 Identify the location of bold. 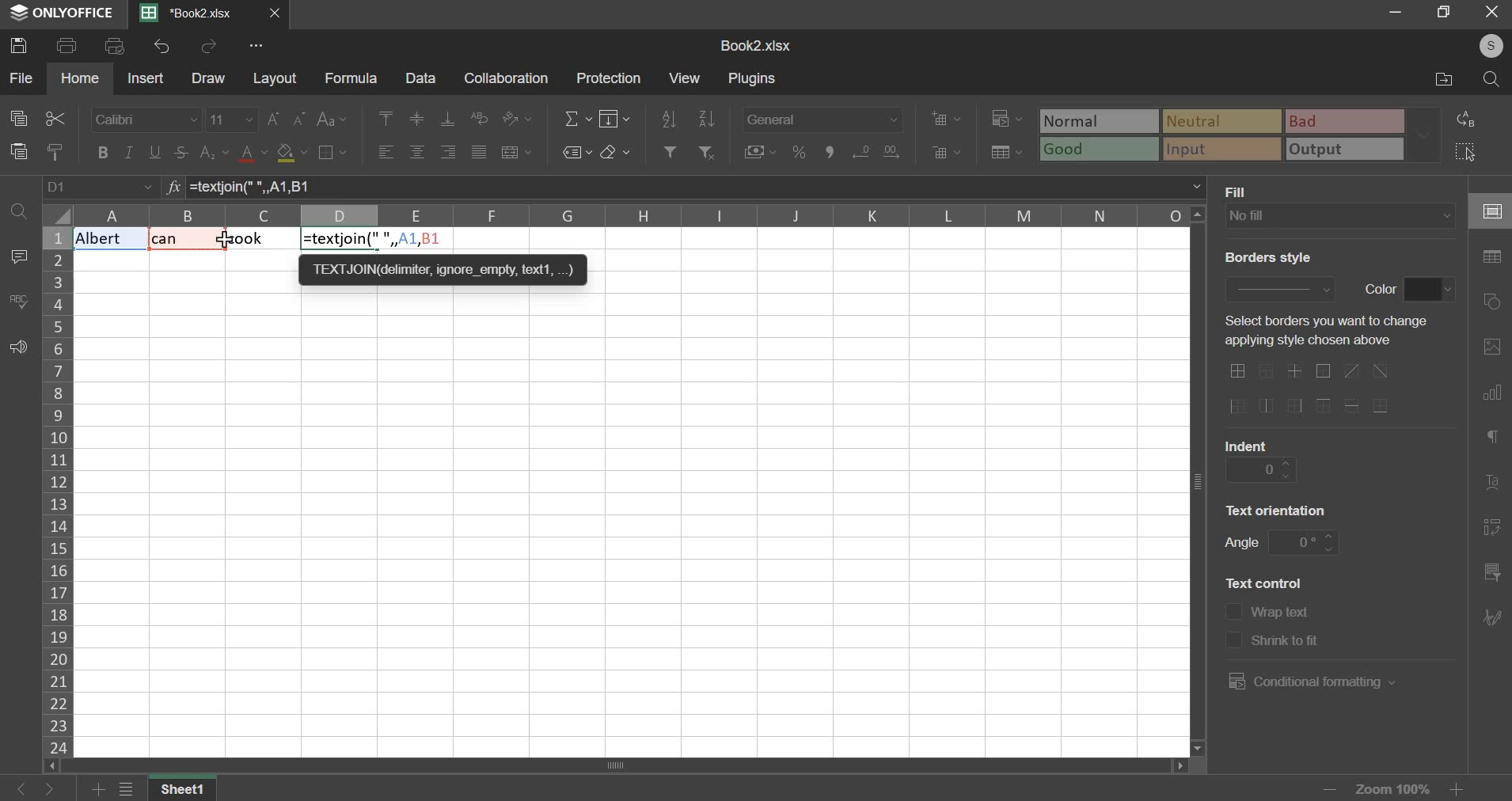
(101, 152).